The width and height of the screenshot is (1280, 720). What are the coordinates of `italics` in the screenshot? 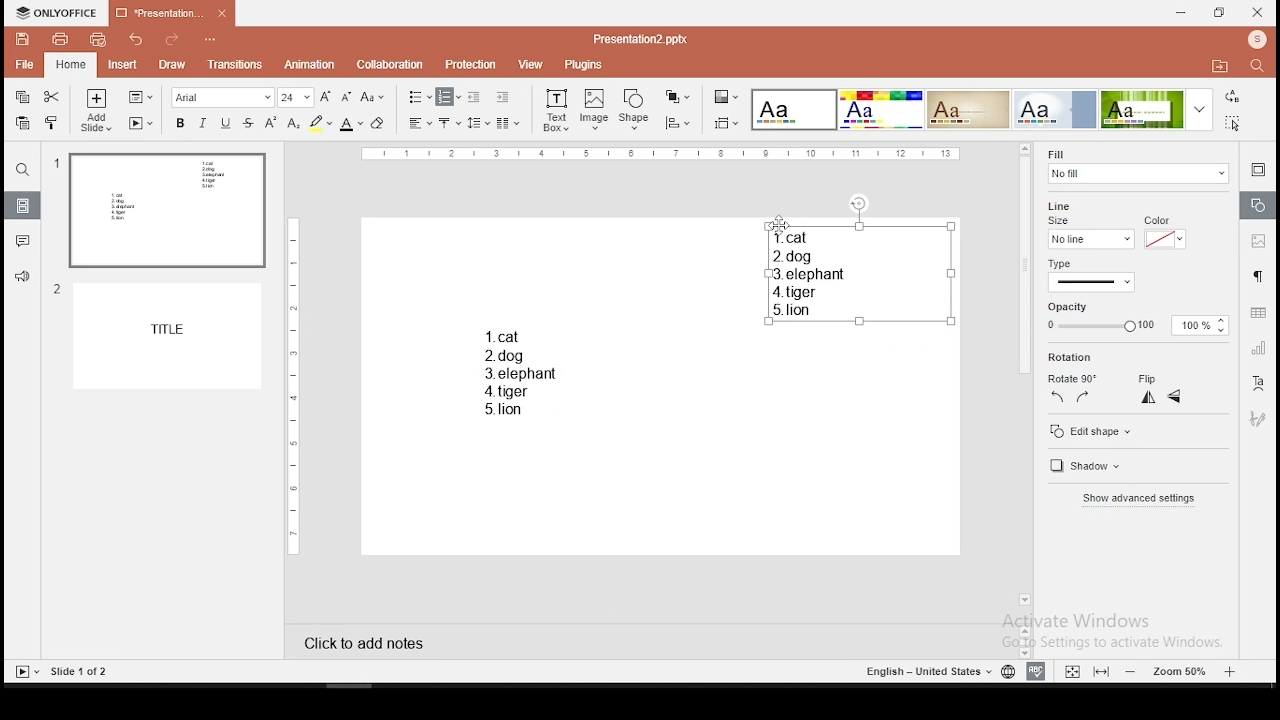 It's located at (203, 122).